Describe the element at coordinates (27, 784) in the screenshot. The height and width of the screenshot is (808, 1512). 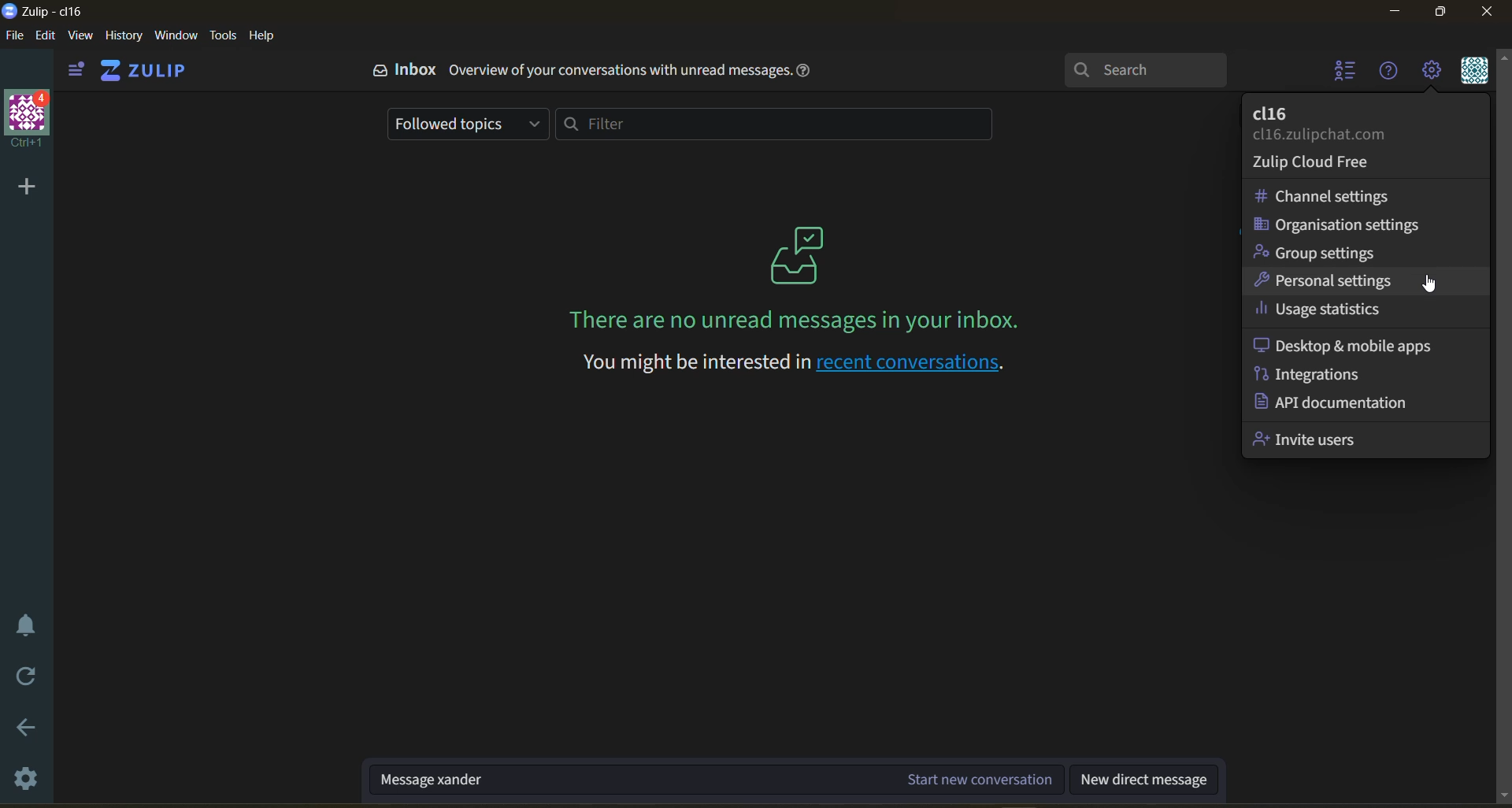
I see `settings` at that location.